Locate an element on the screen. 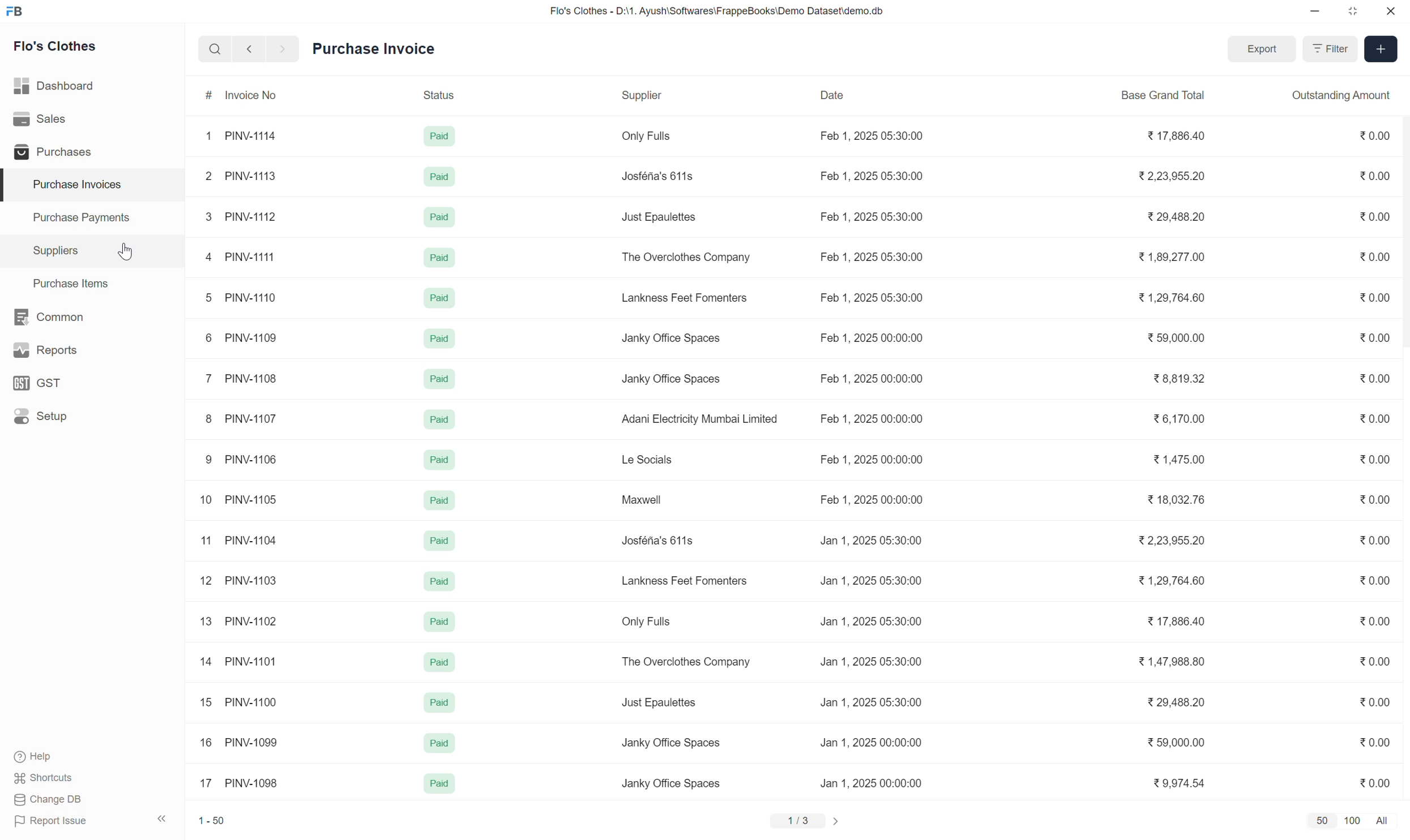 The image size is (1410, 840). Add new Purchase Invoice is located at coordinates (1381, 49).